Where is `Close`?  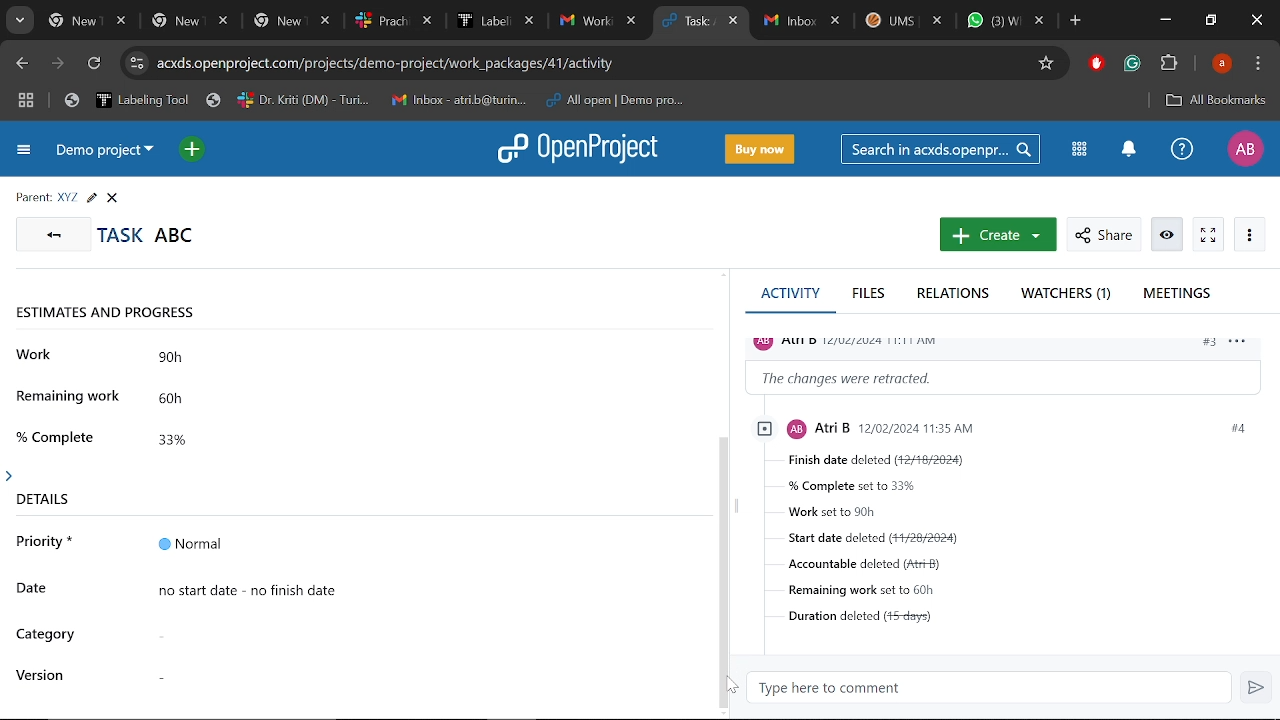 Close is located at coordinates (1256, 21).